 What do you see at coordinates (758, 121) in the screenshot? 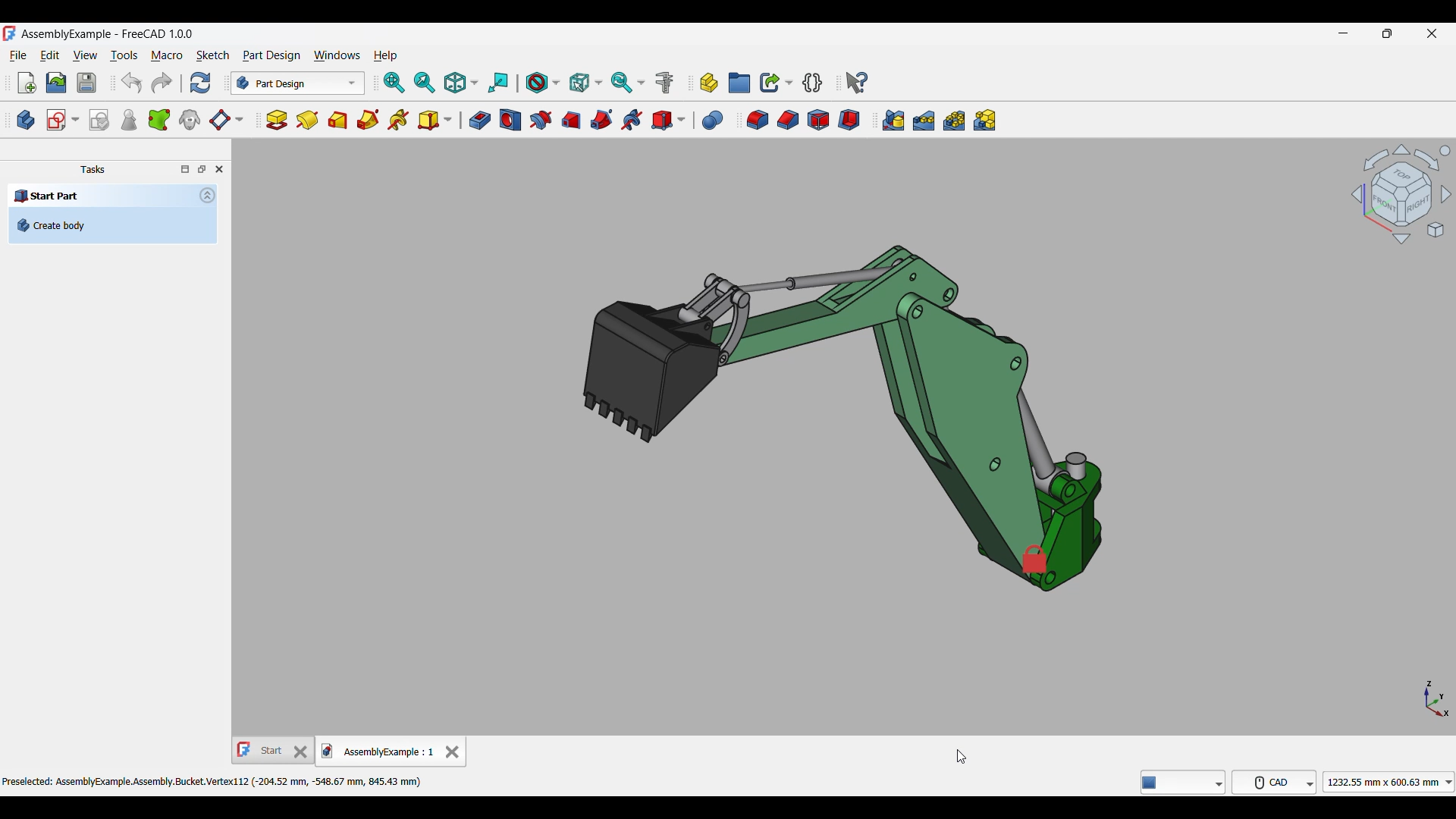
I see `Fillet` at bounding box center [758, 121].